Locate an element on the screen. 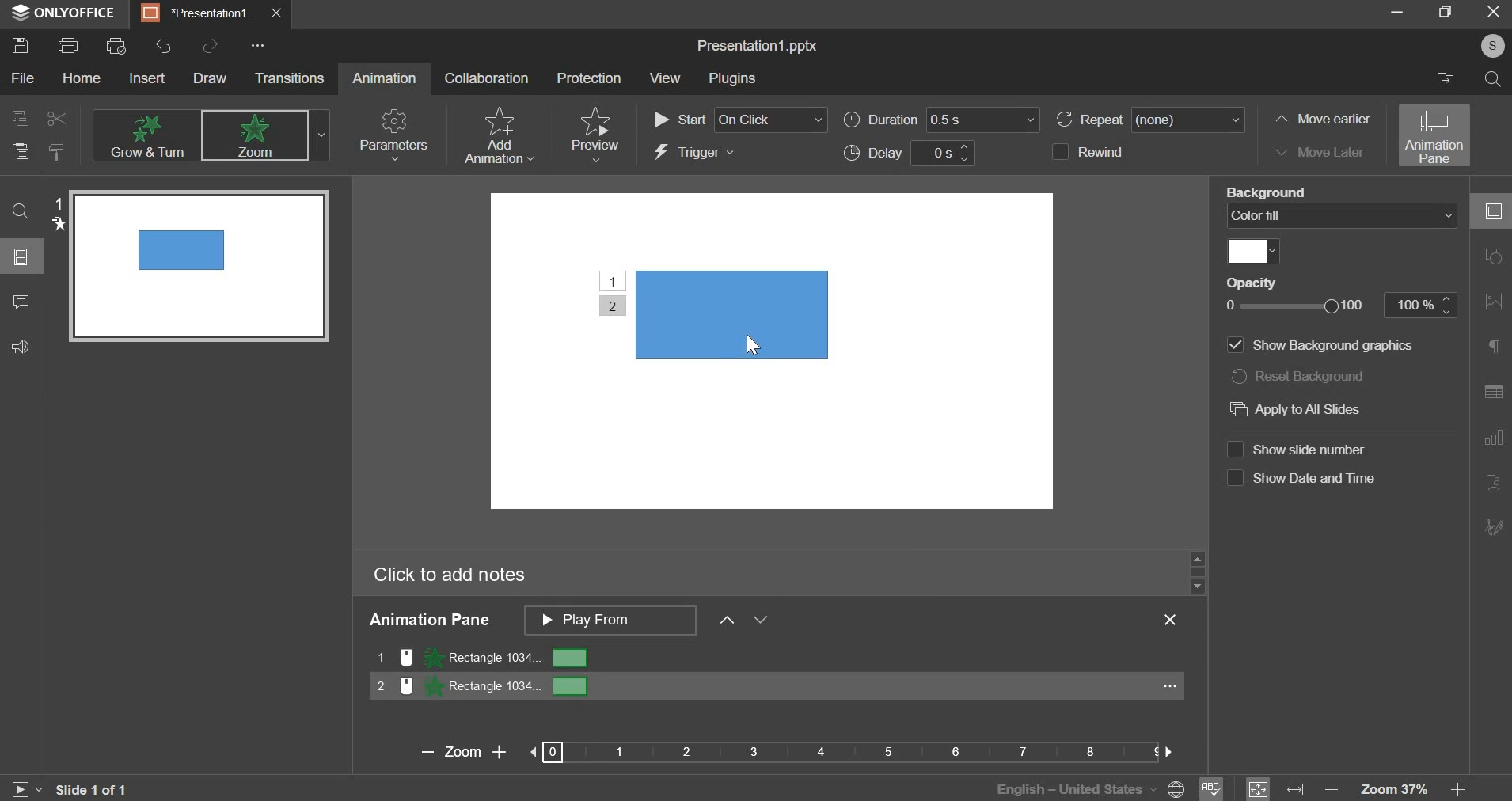 Image resolution: width=1512 pixels, height=801 pixels. rectangle 1034 is located at coordinates (777, 689).